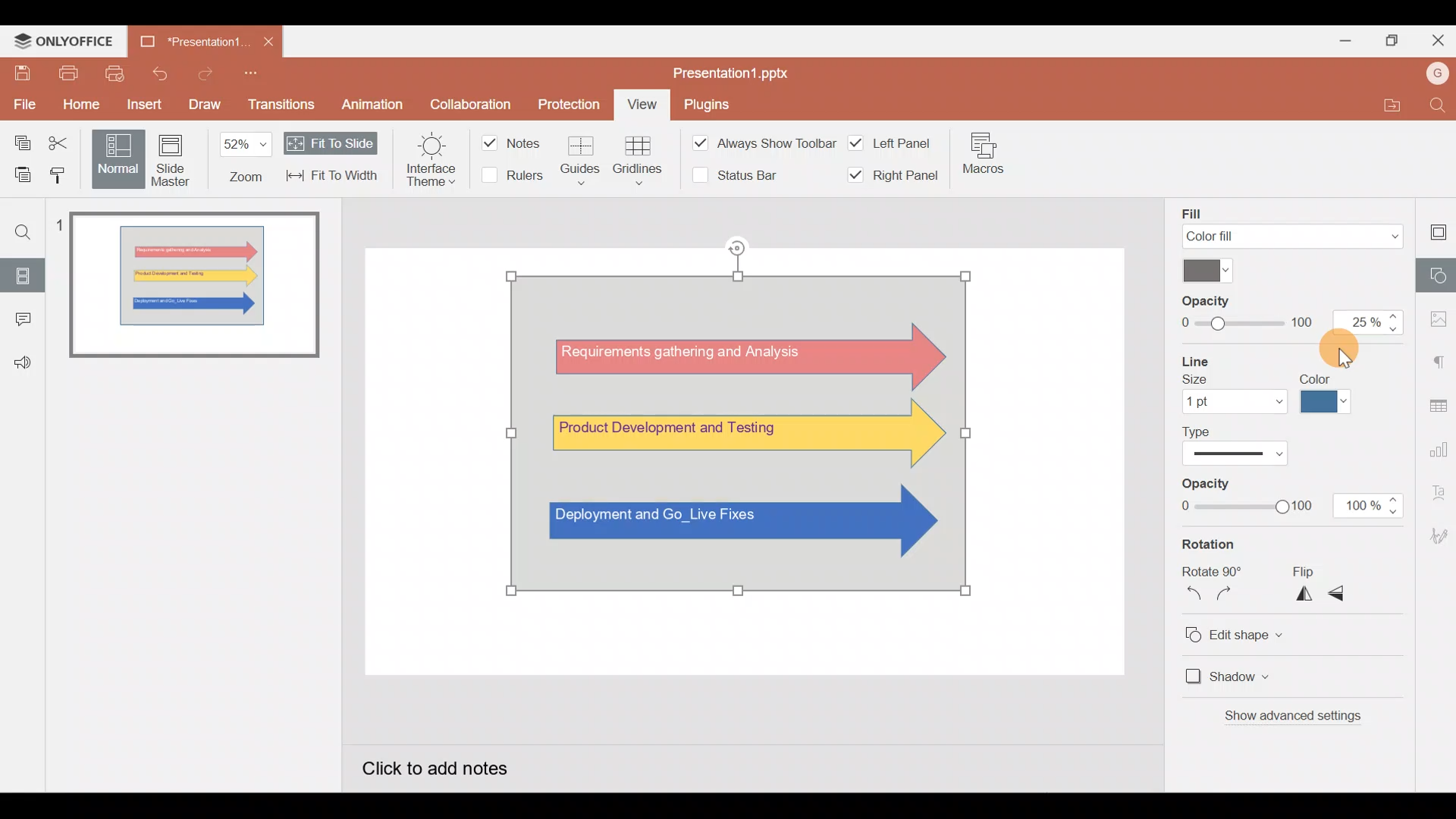  Describe the element at coordinates (196, 287) in the screenshot. I see `Slide 1` at that location.